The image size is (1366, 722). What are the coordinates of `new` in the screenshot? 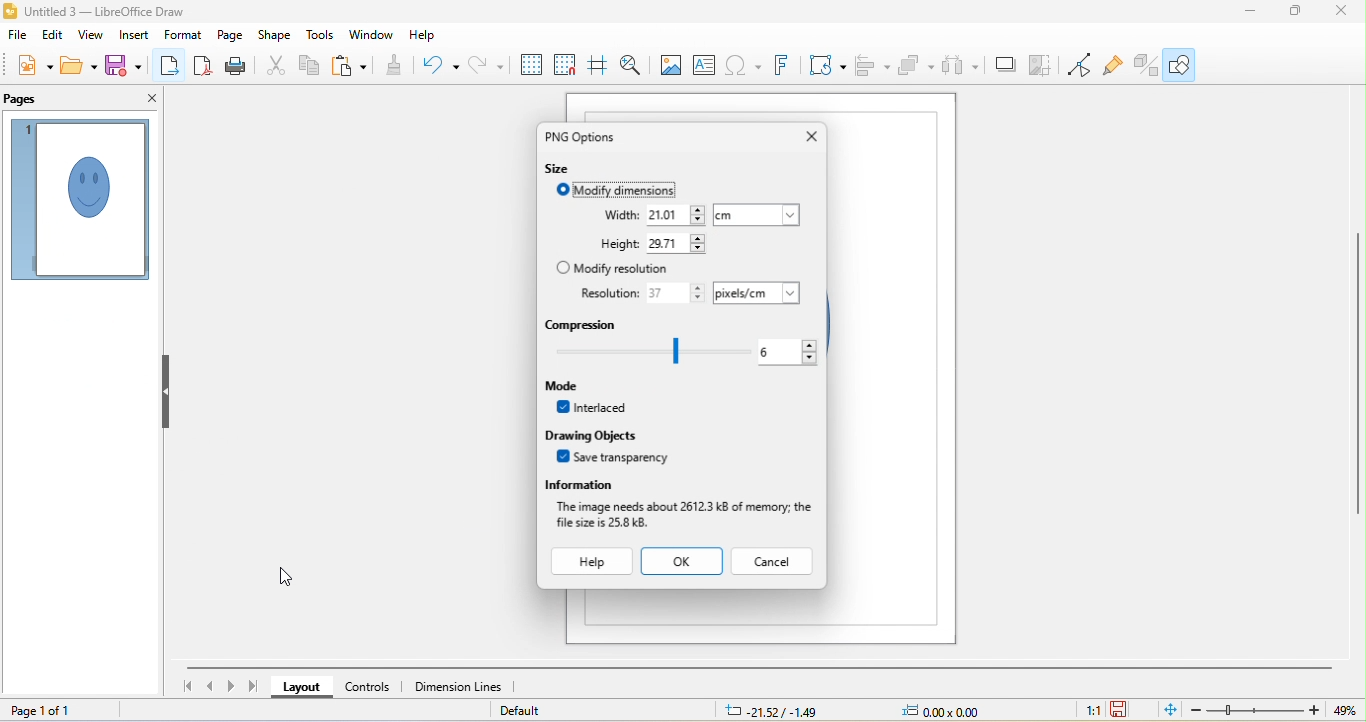 It's located at (32, 66).